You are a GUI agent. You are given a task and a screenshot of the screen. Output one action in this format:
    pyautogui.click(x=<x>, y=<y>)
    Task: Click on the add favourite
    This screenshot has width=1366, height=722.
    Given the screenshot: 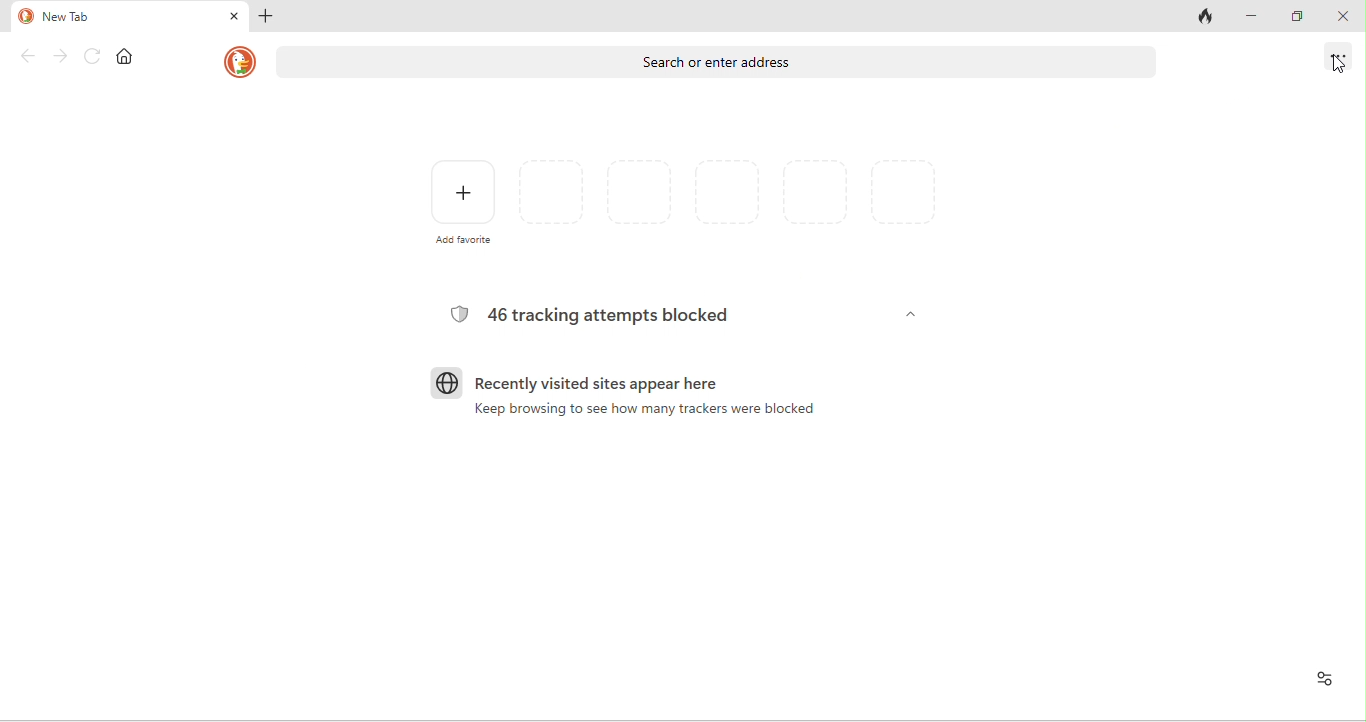 What is the action you would take?
    pyautogui.click(x=452, y=206)
    